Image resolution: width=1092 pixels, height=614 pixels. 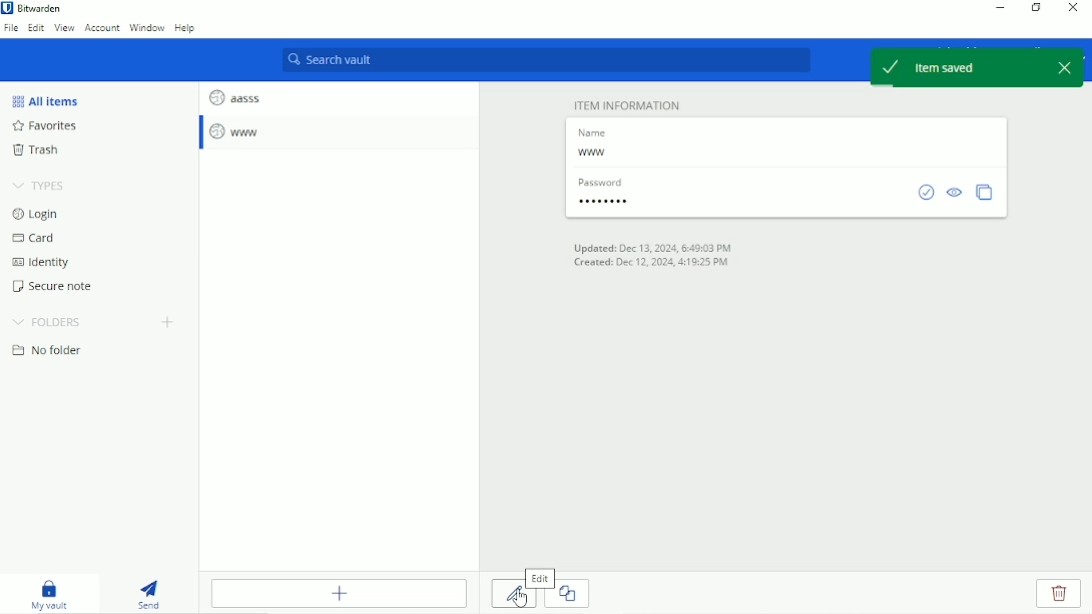 I want to click on Identity, so click(x=40, y=263).